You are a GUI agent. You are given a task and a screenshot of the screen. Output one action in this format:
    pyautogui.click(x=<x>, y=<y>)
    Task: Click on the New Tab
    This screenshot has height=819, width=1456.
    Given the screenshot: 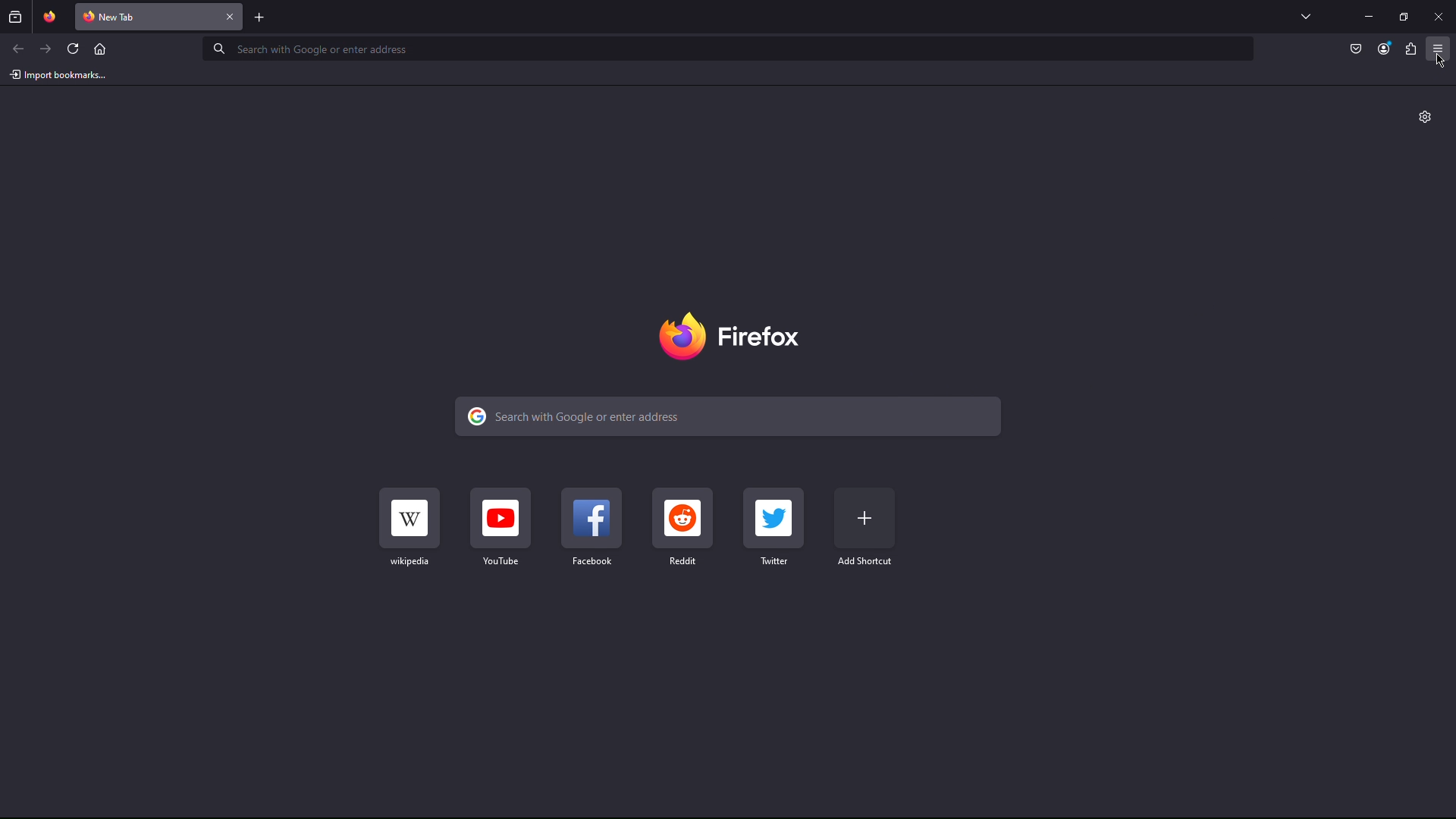 What is the action you would take?
    pyautogui.click(x=148, y=17)
    